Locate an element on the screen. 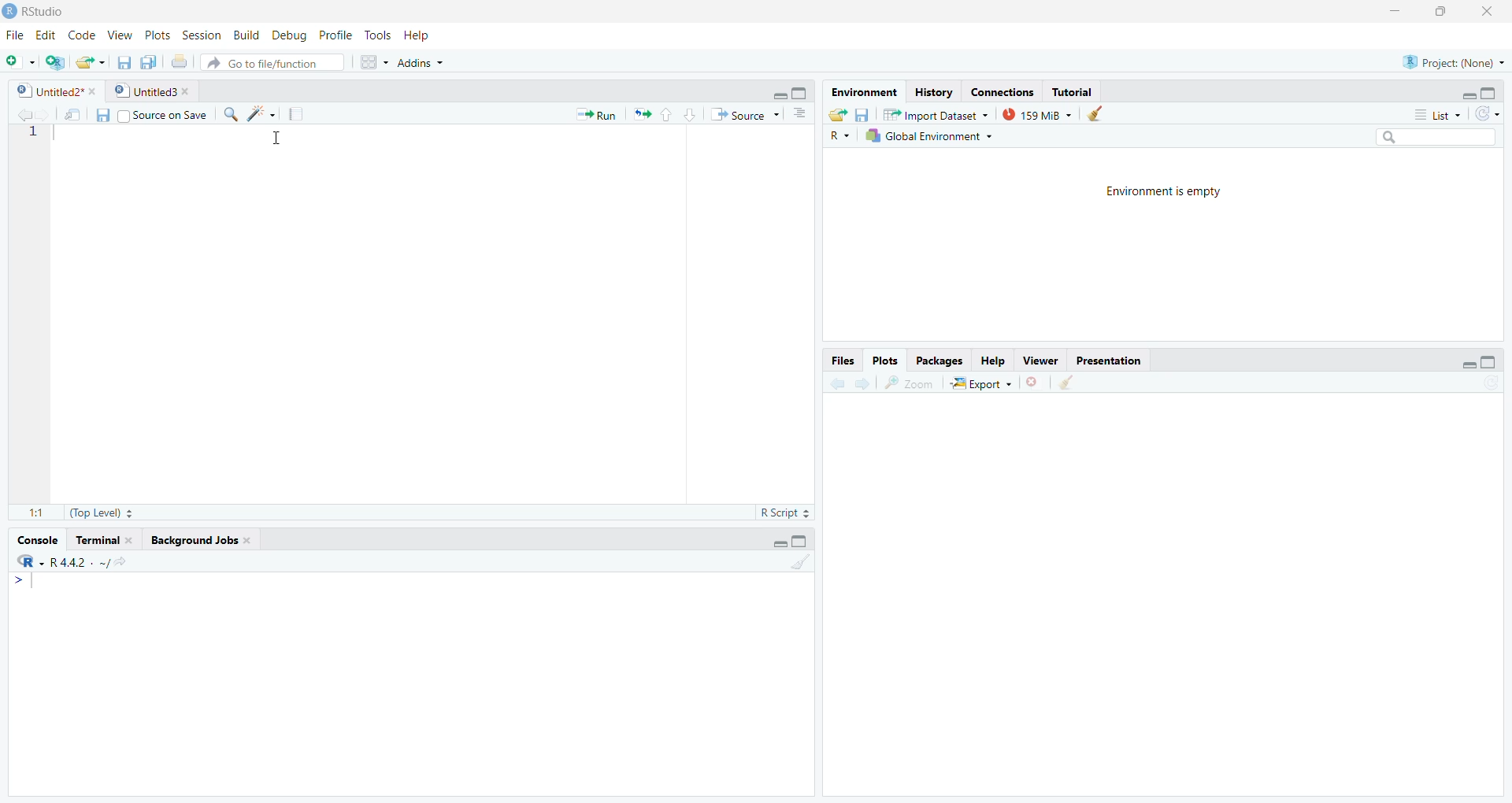 The height and width of the screenshot is (803, 1512). Restore Down is located at coordinates (1440, 12).